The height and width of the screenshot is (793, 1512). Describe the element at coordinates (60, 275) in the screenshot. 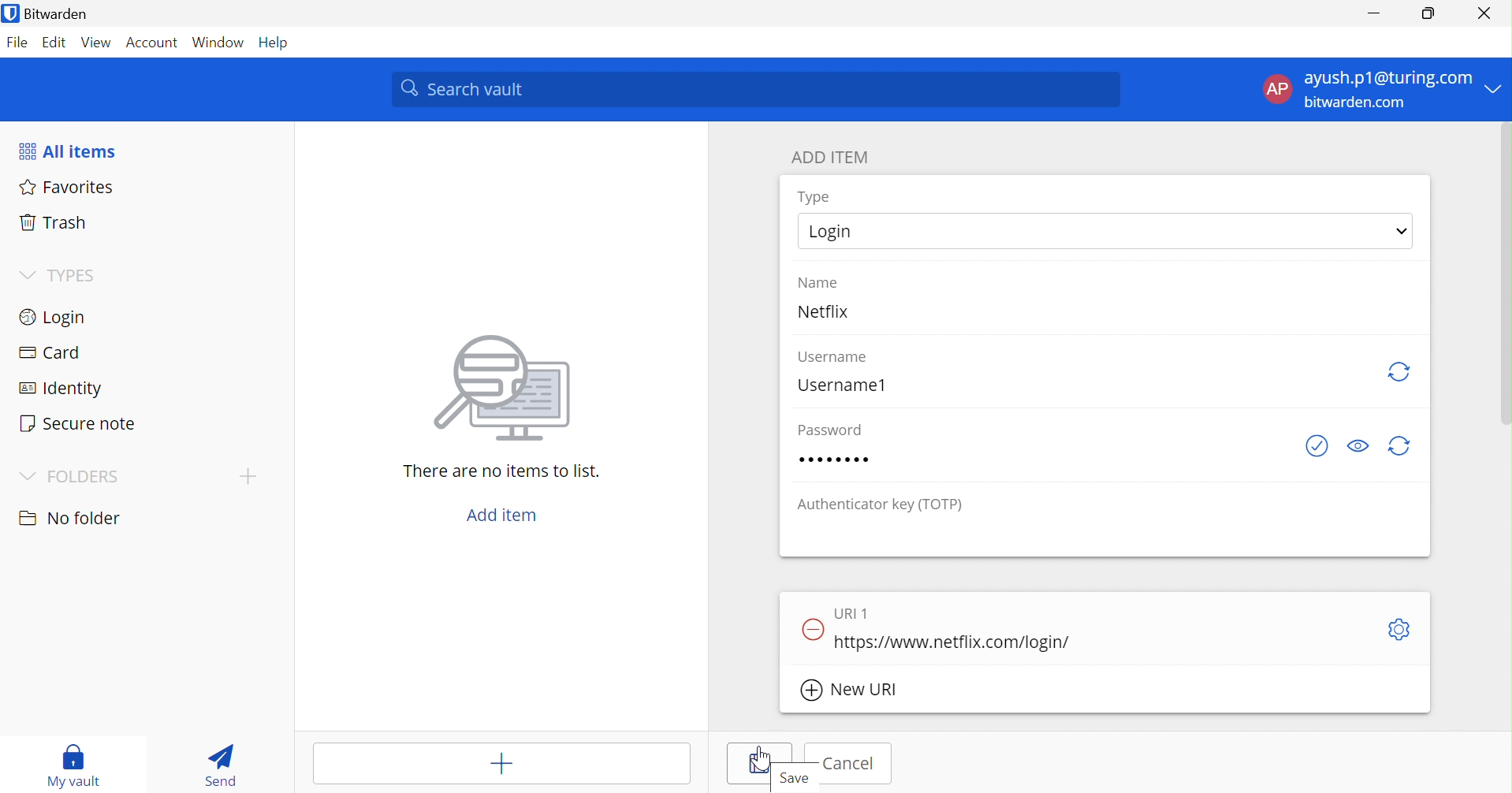

I see `TYPES` at that location.